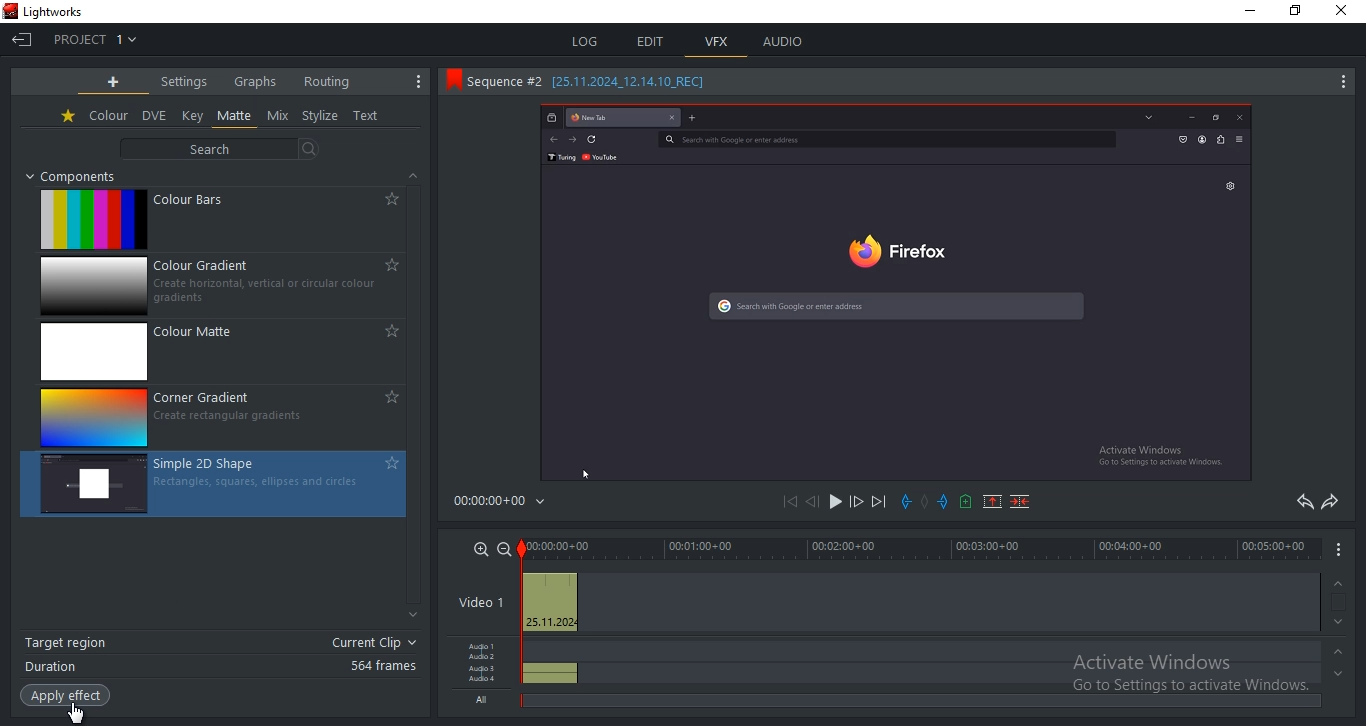 This screenshot has height=726, width=1366. I want to click on routing, so click(326, 81).